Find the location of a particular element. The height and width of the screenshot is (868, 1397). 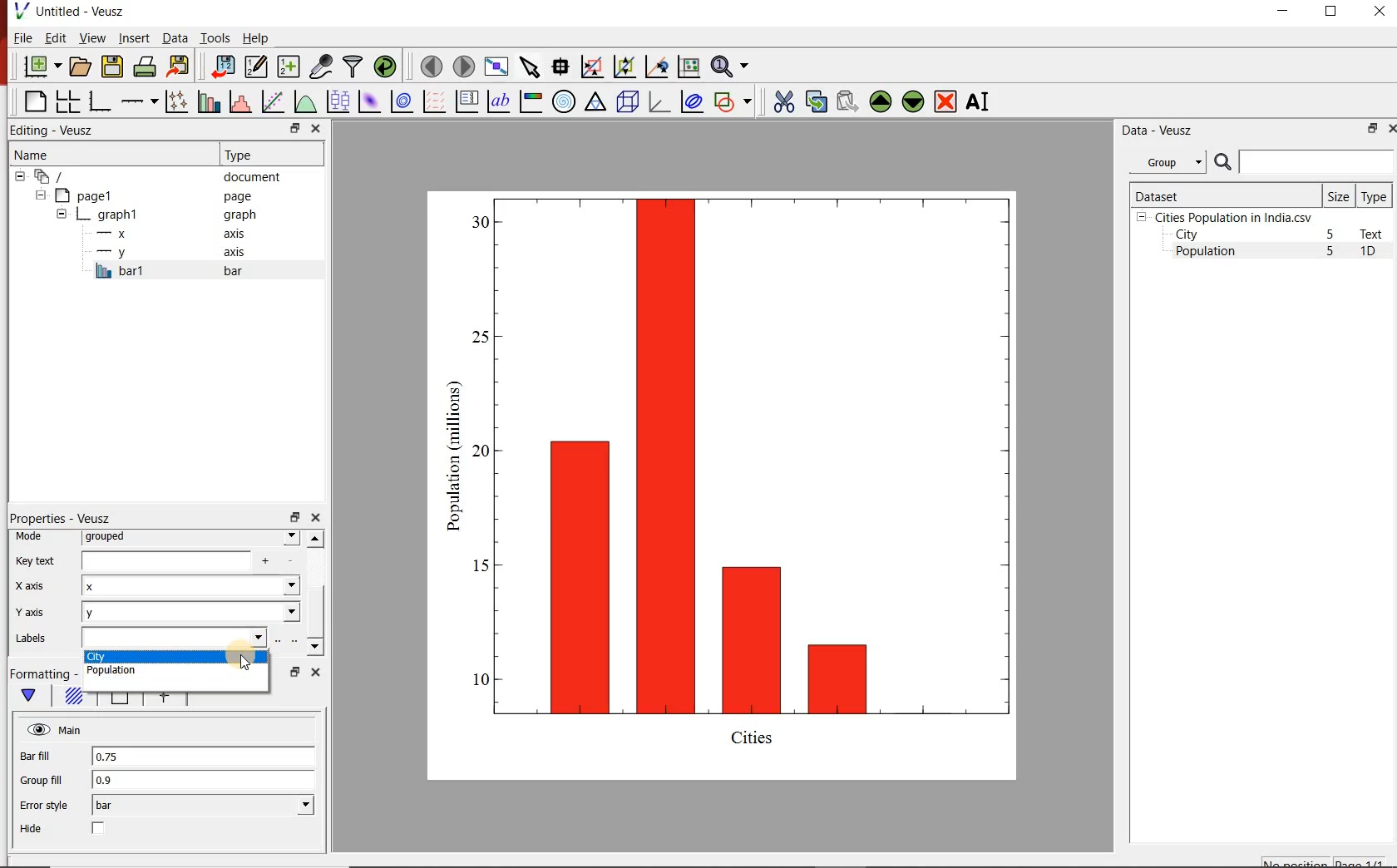

print the document is located at coordinates (144, 67).